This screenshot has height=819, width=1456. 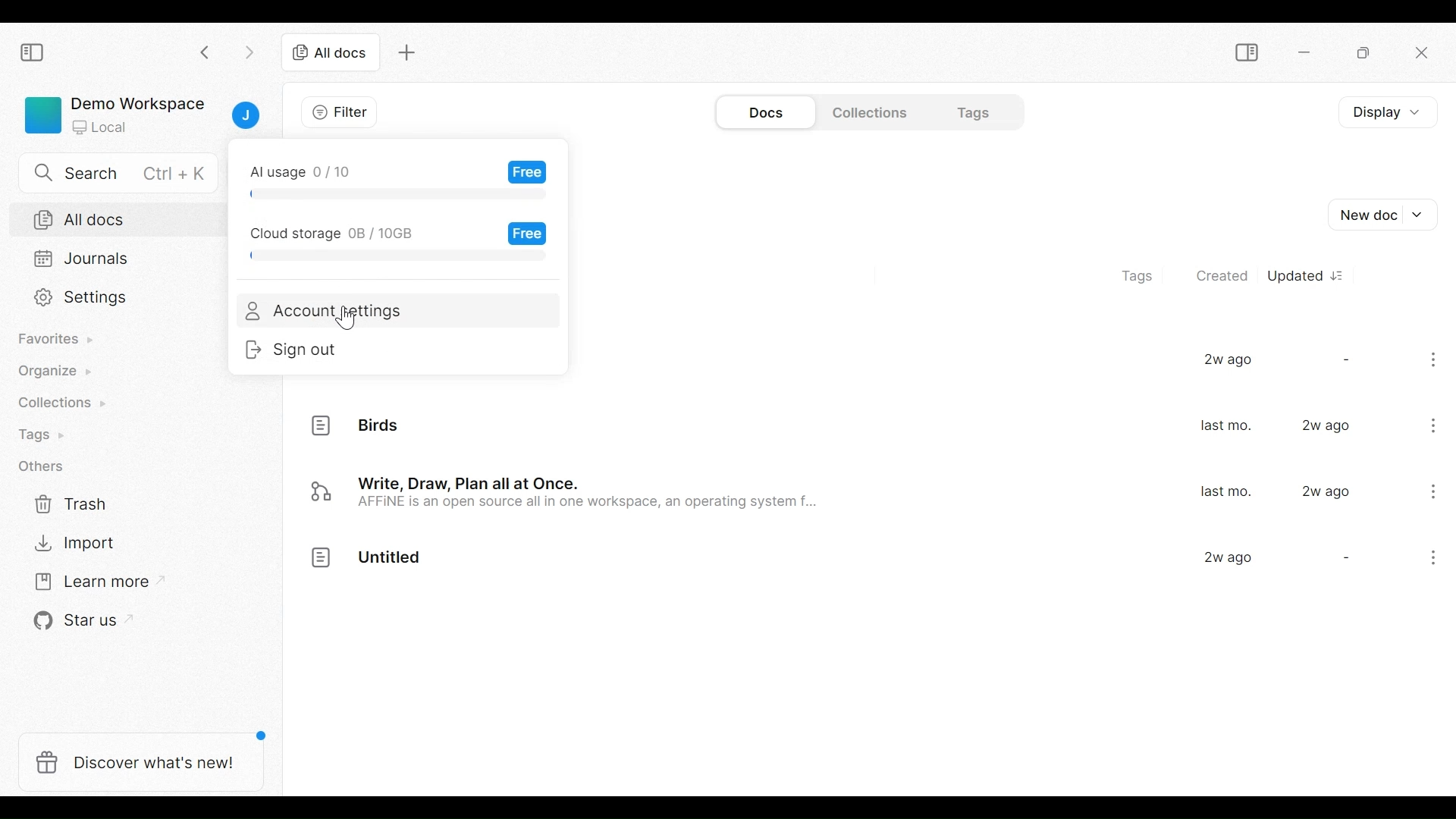 I want to click on 2w ago, so click(x=1327, y=491).